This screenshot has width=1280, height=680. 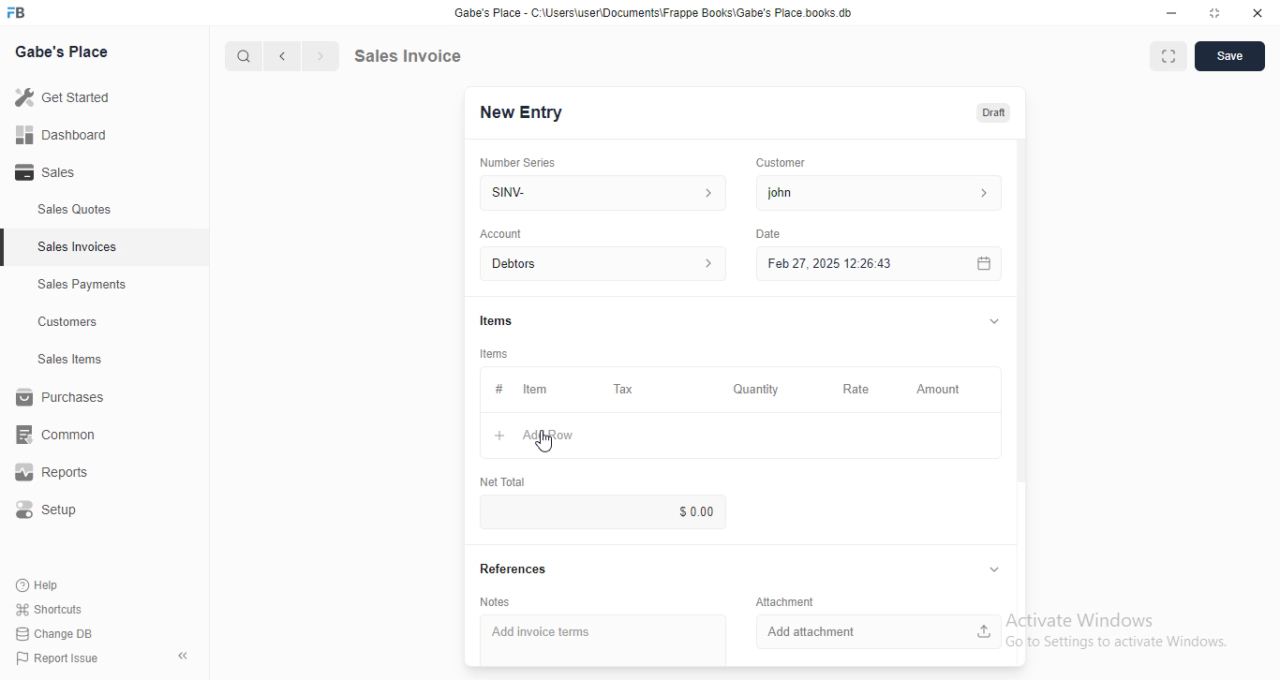 I want to click on Setup, so click(x=48, y=507).